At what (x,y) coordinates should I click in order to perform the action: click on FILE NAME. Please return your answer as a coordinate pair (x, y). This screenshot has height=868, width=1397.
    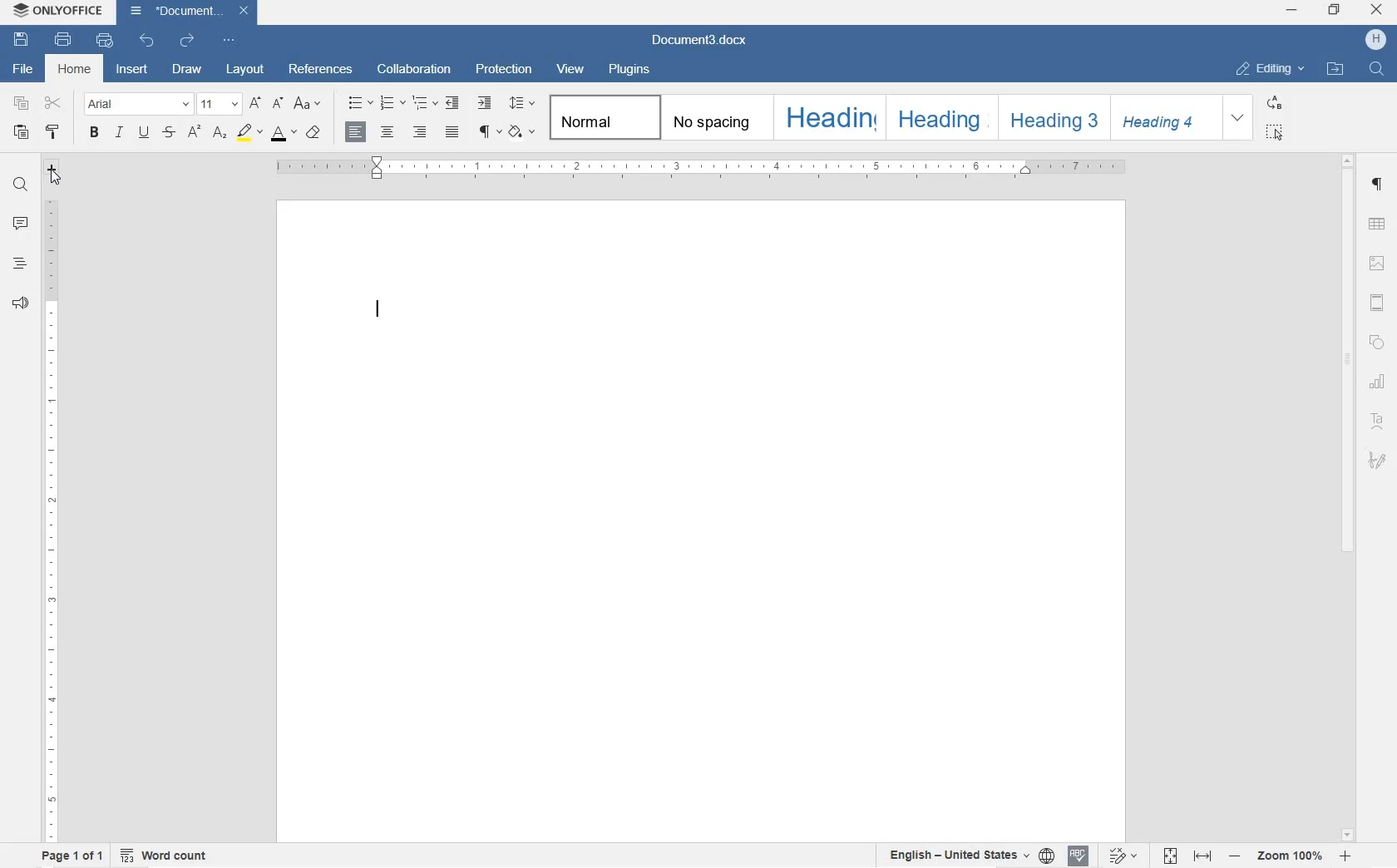
    Looking at the image, I should click on (698, 42).